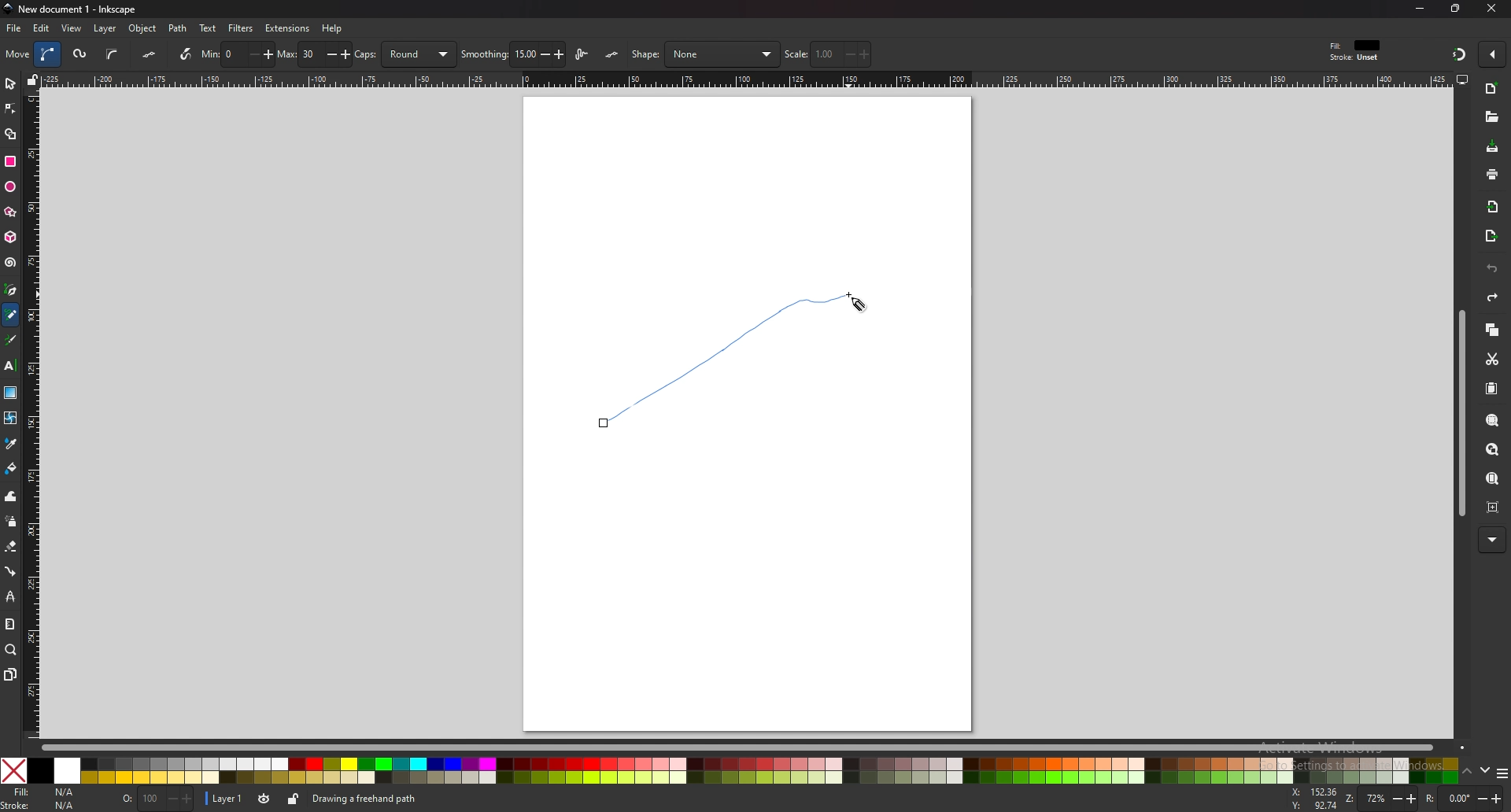 The width and height of the screenshot is (1511, 812). I want to click on fill, so click(43, 792).